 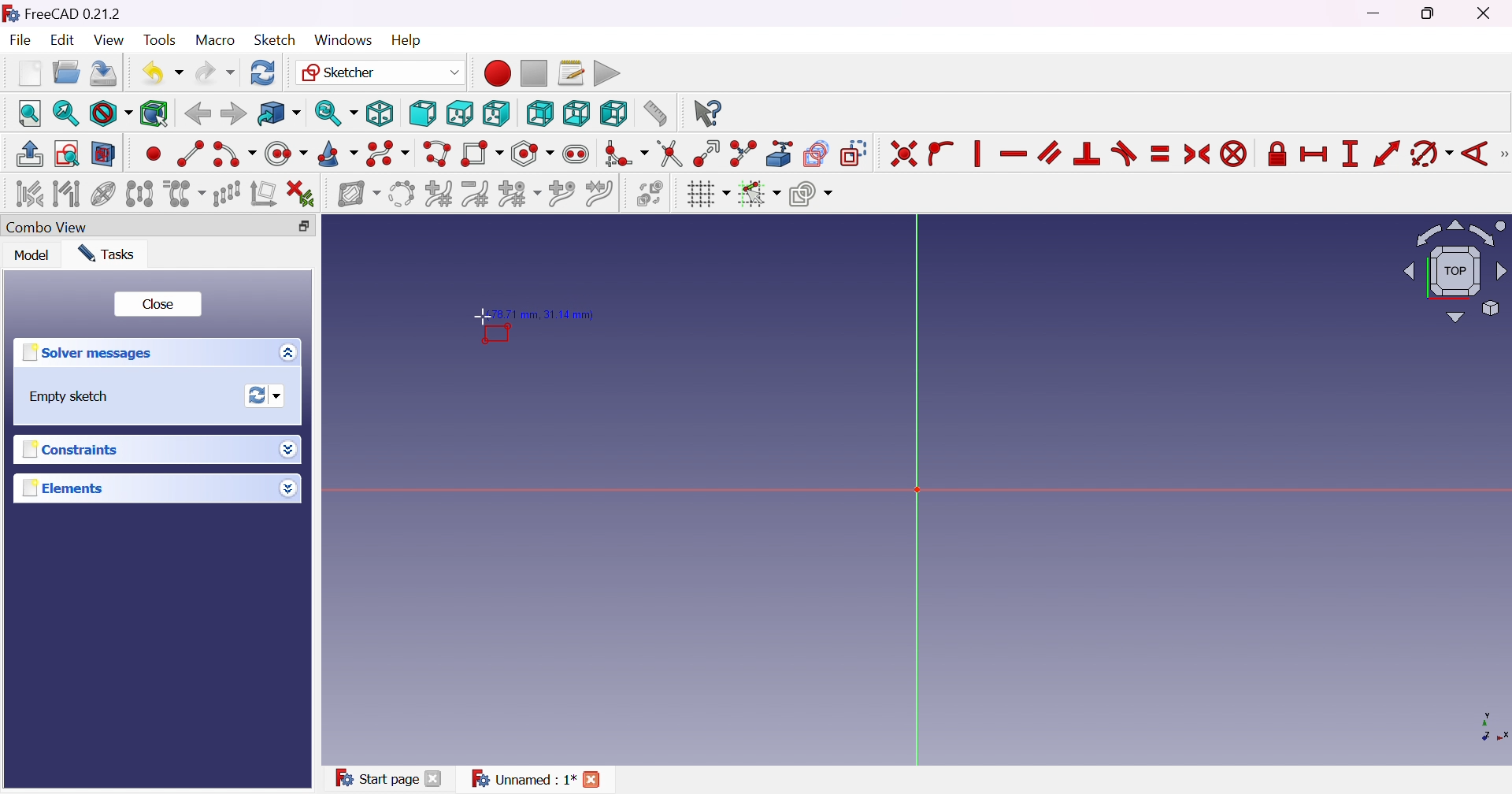 What do you see at coordinates (810, 193) in the screenshot?
I see `Configure rendering order` at bounding box center [810, 193].